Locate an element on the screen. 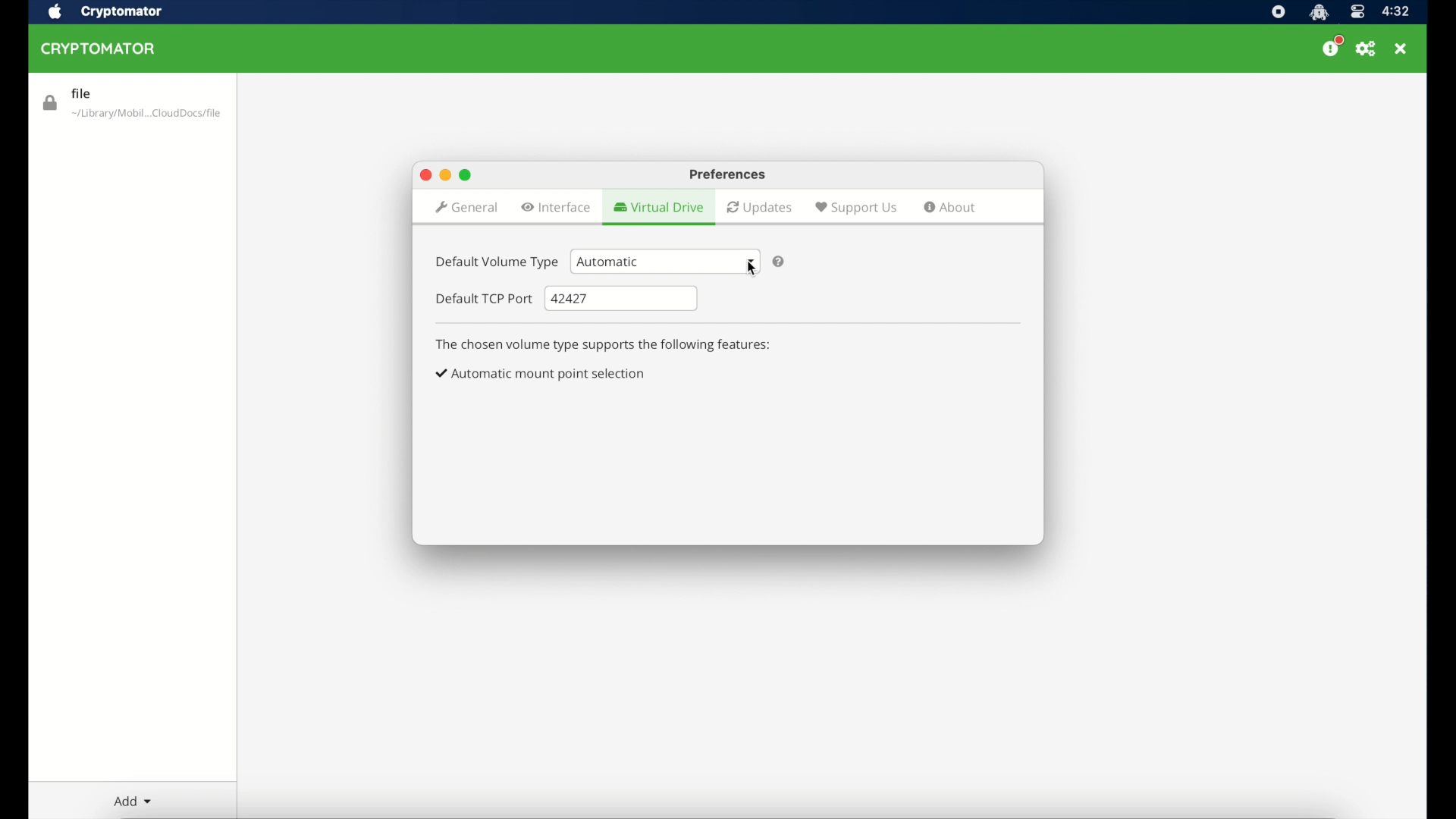 The image size is (1456, 819). preferences is located at coordinates (1367, 49).